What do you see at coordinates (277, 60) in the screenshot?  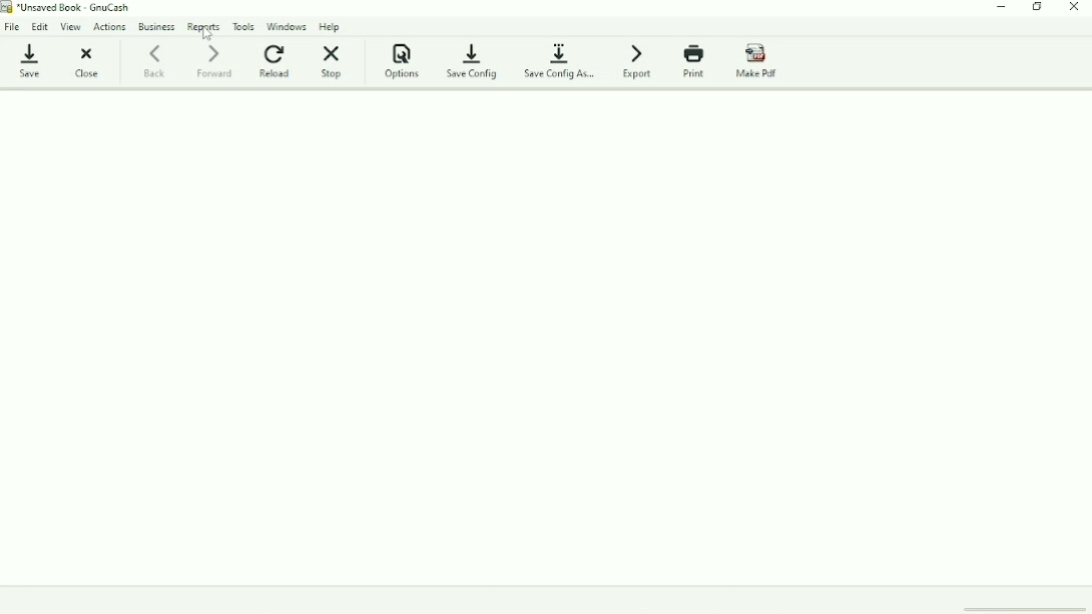 I see `Reload` at bounding box center [277, 60].